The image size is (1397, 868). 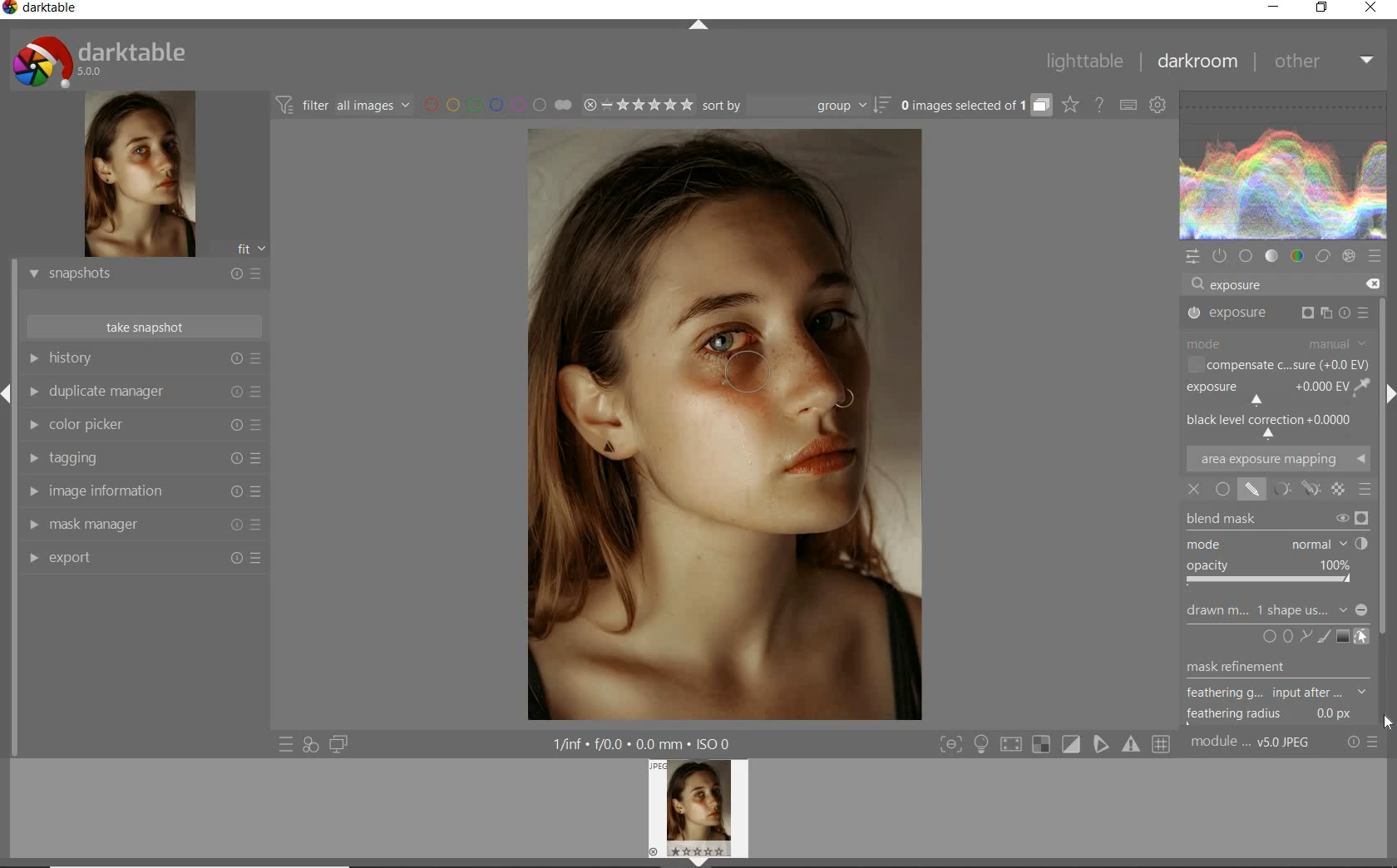 What do you see at coordinates (1283, 165) in the screenshot?
I see `WAVEFORM` at bounding box center [1283, 165].